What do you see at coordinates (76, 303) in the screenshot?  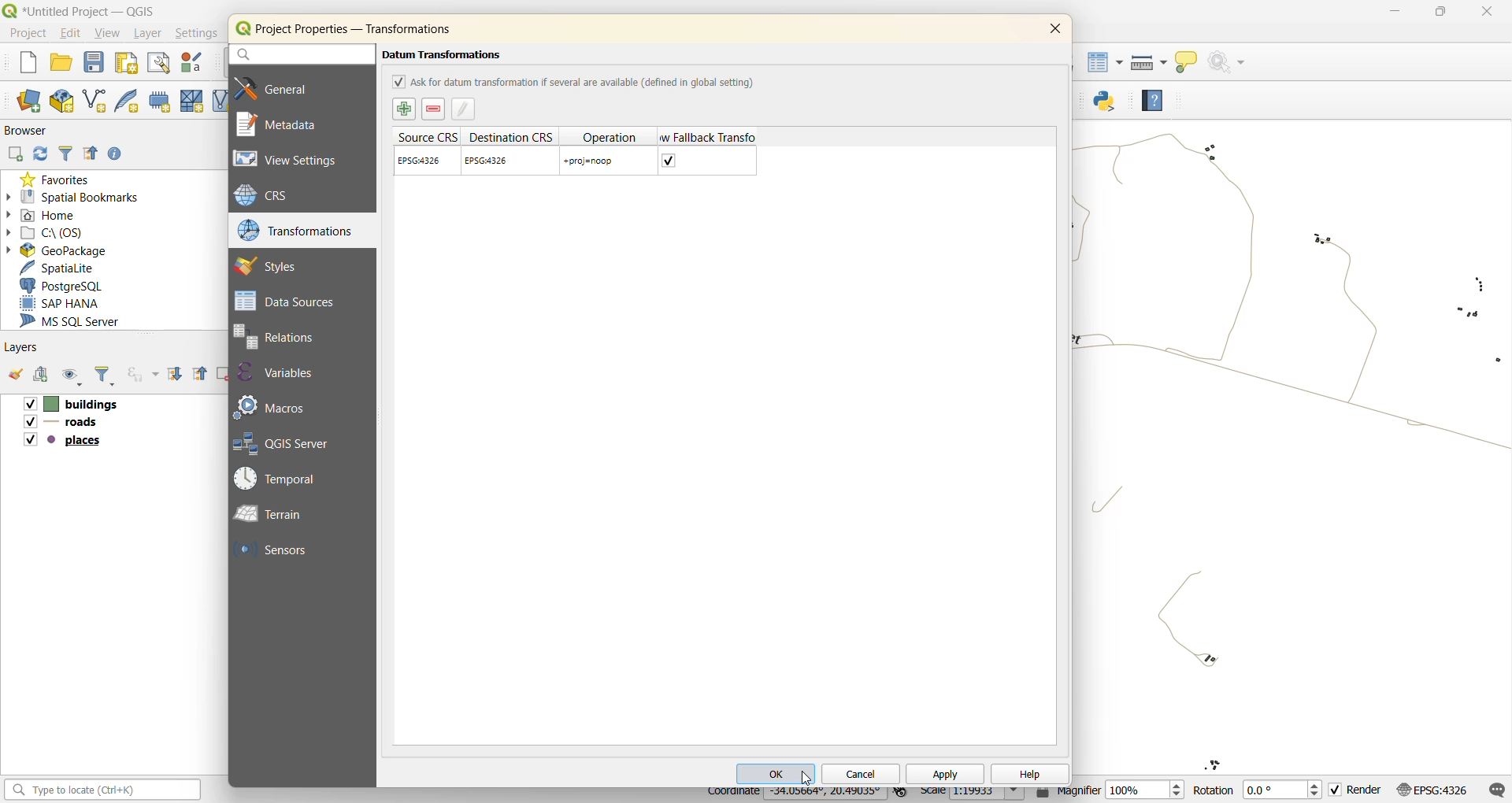 I see `sap hana` at bounding box center [76, 303].